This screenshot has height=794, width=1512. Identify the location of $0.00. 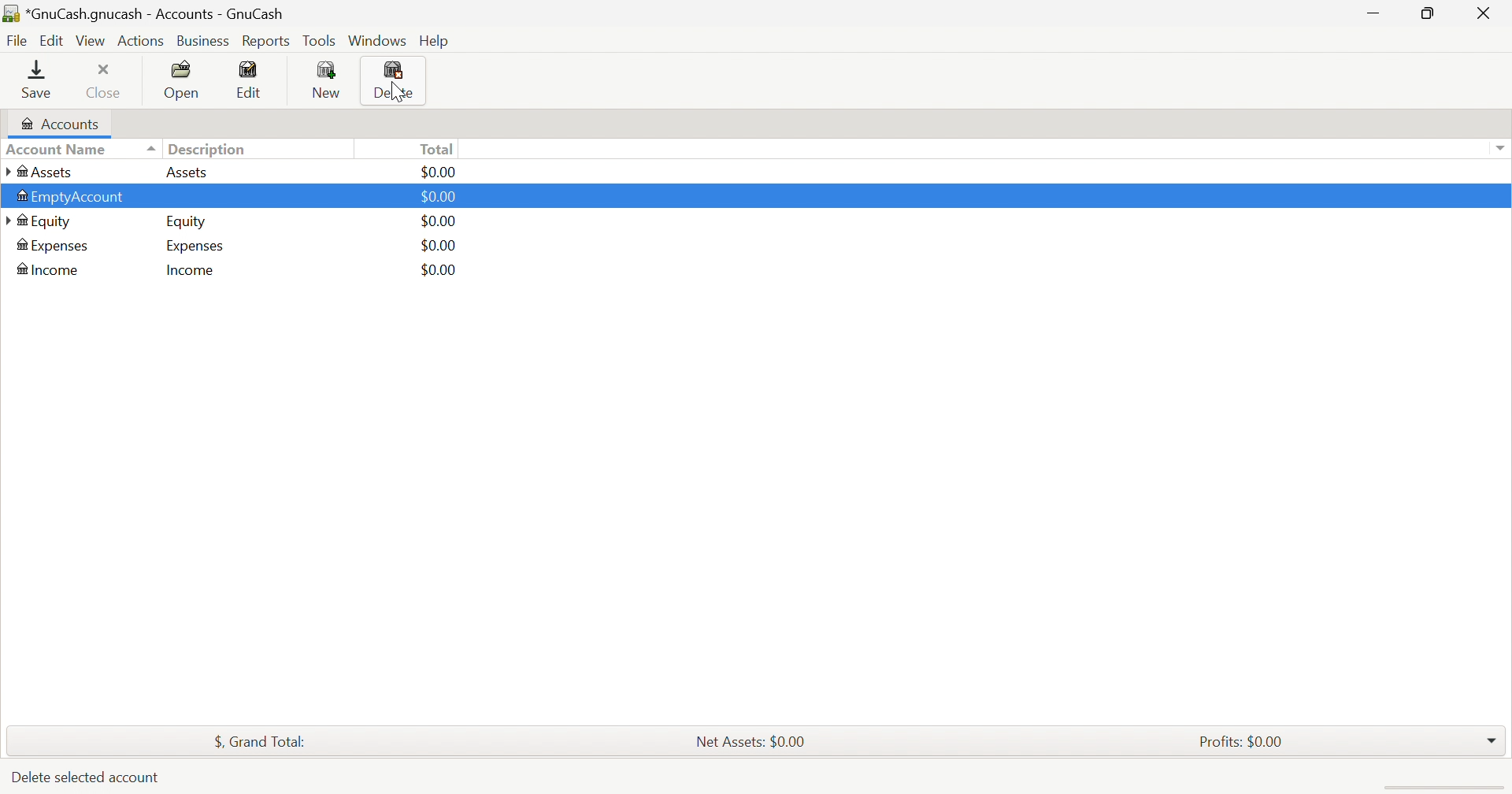
(436, 271).